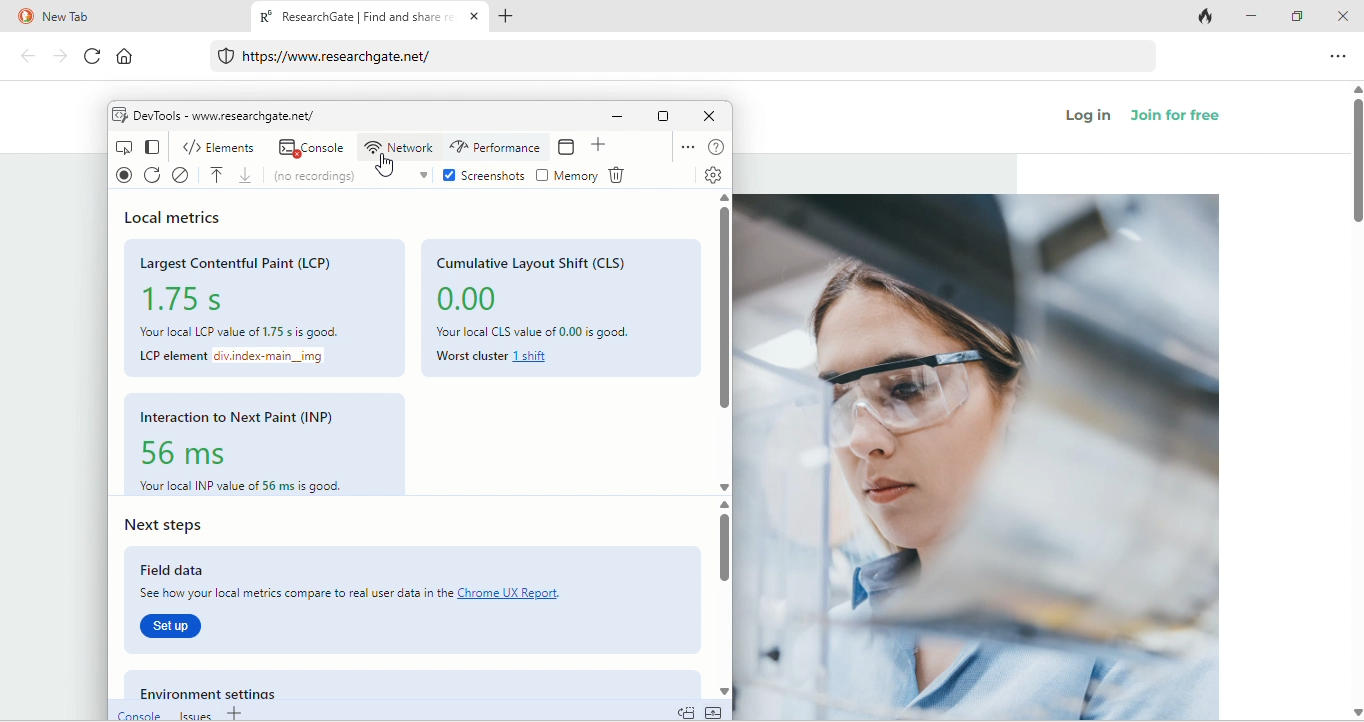 The width and height of the screenshot is (1364, 722). I want to click on 1.75 s, so click(197, 297).